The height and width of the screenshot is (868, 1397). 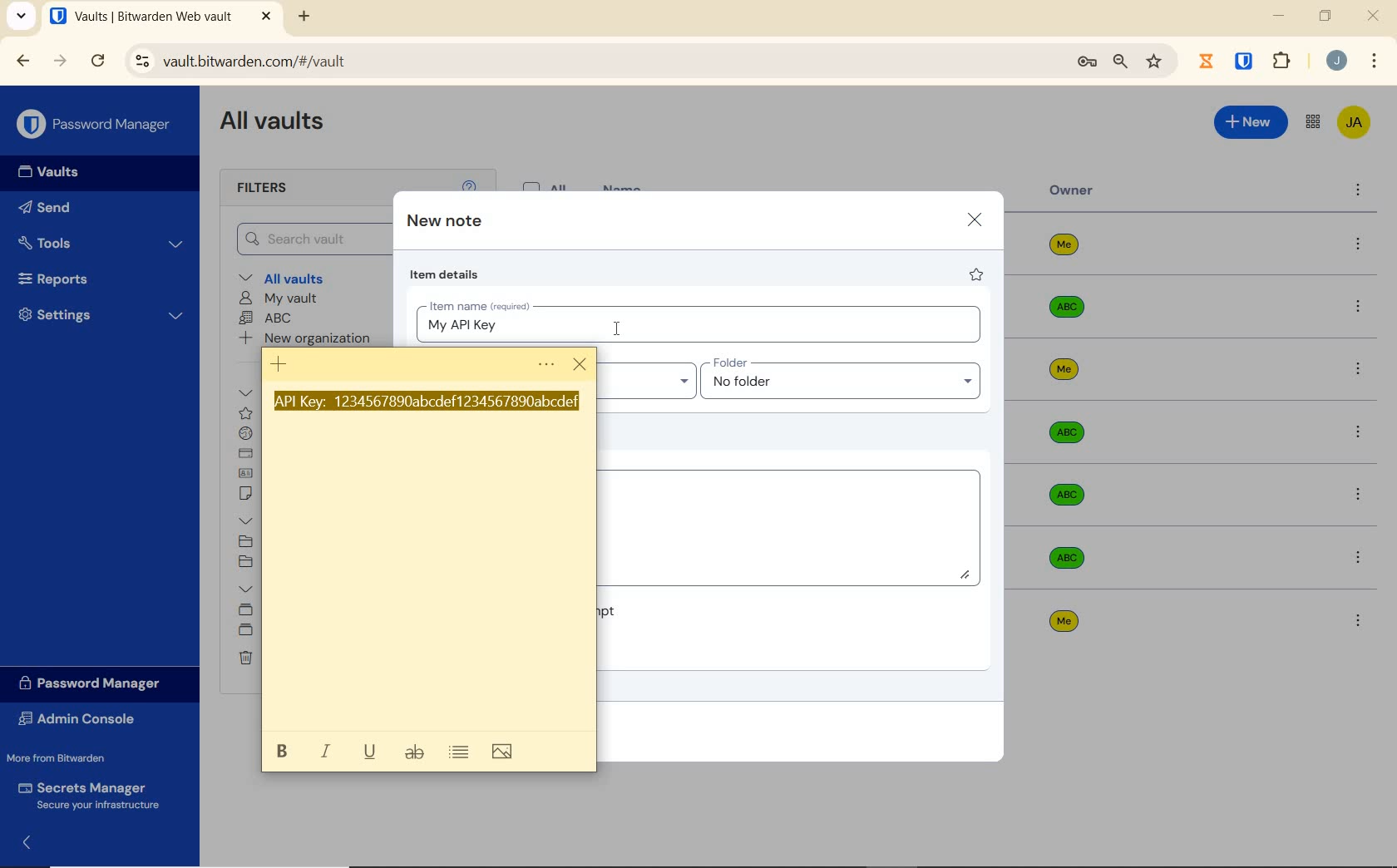 I want to click on Owner Name, so click(x=1064, y=433).